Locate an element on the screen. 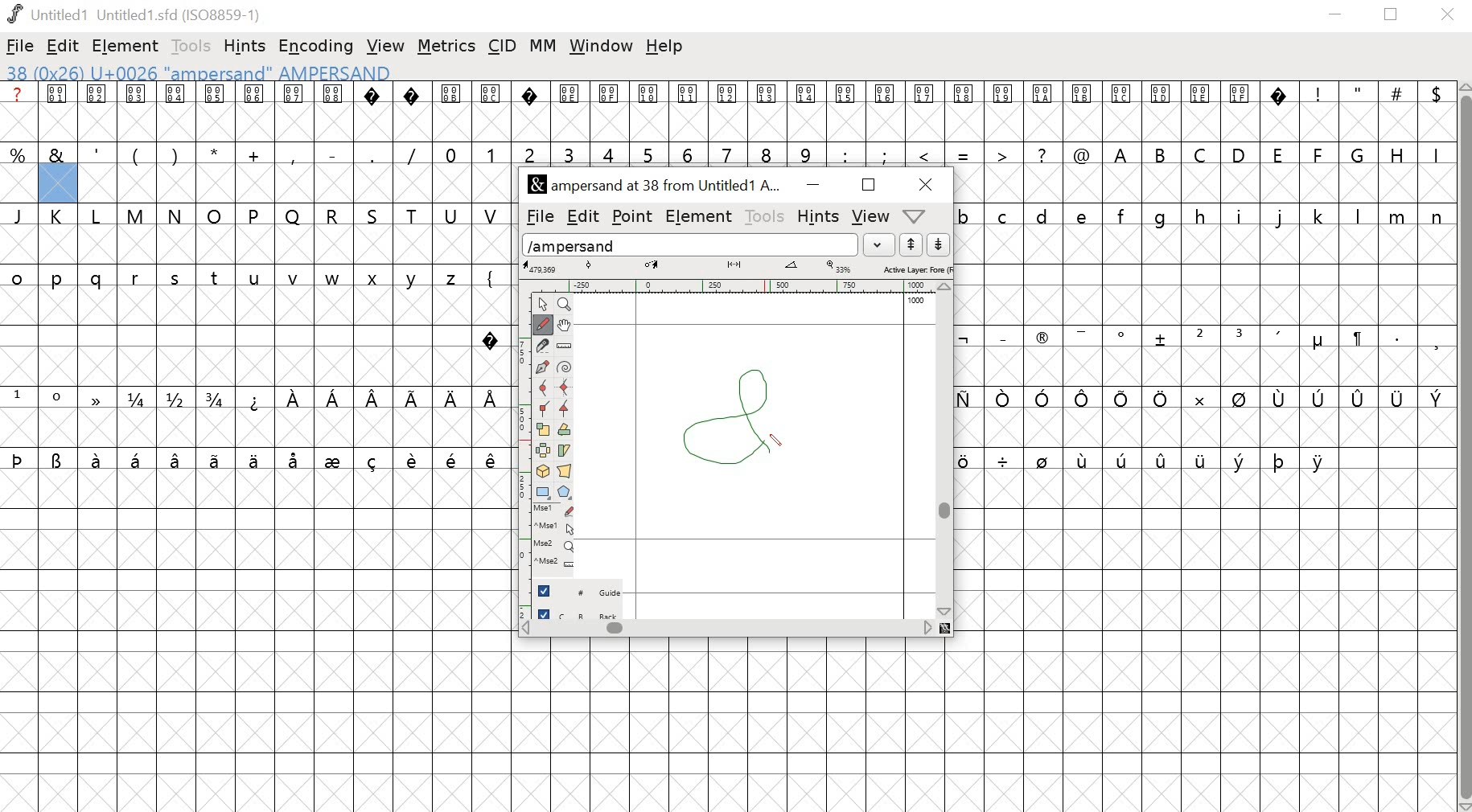  symbol is located at coordinates (1087, 399).